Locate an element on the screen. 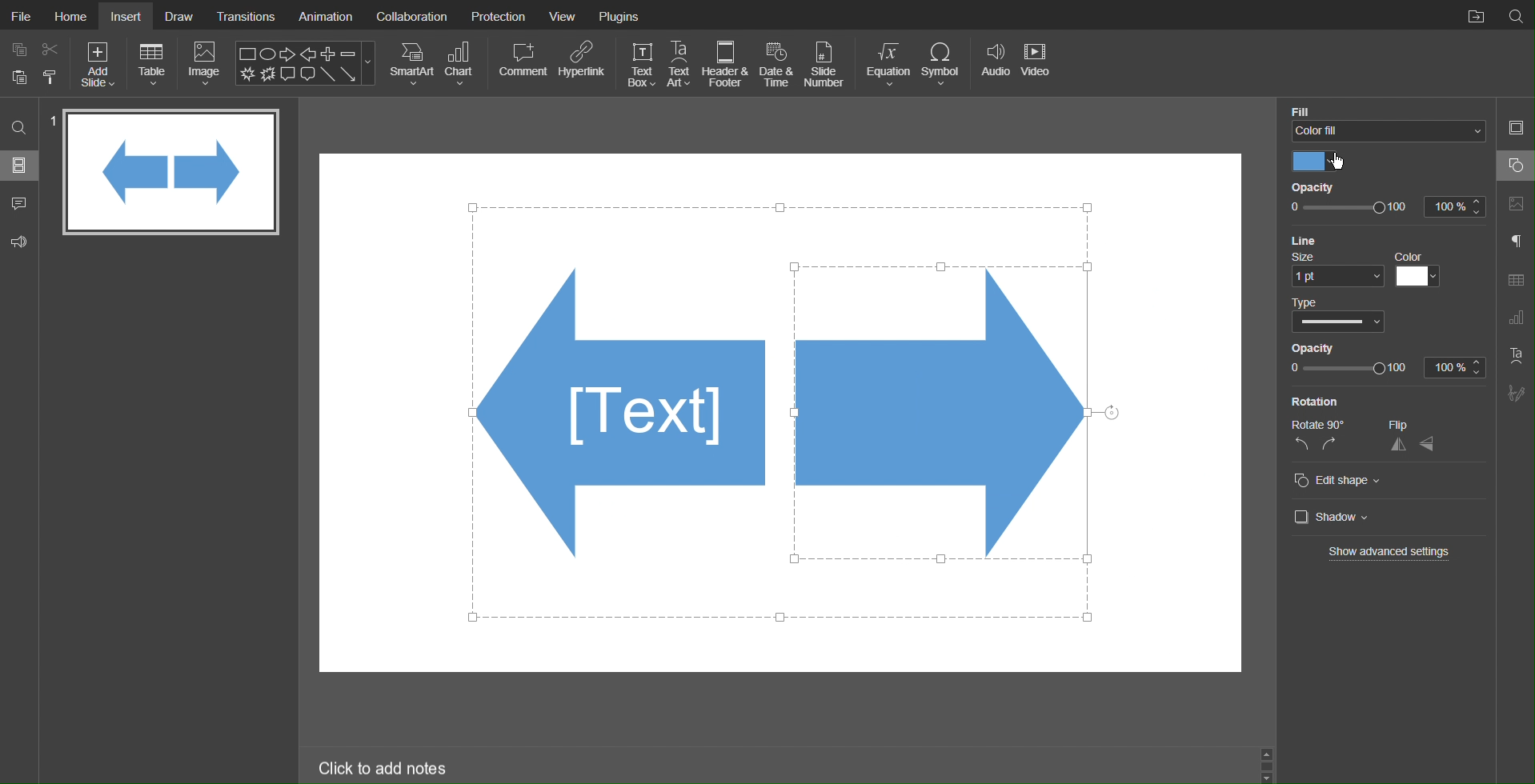 This screenshot has height=784, width=1535. slide number is located at coordinates (54, 118).